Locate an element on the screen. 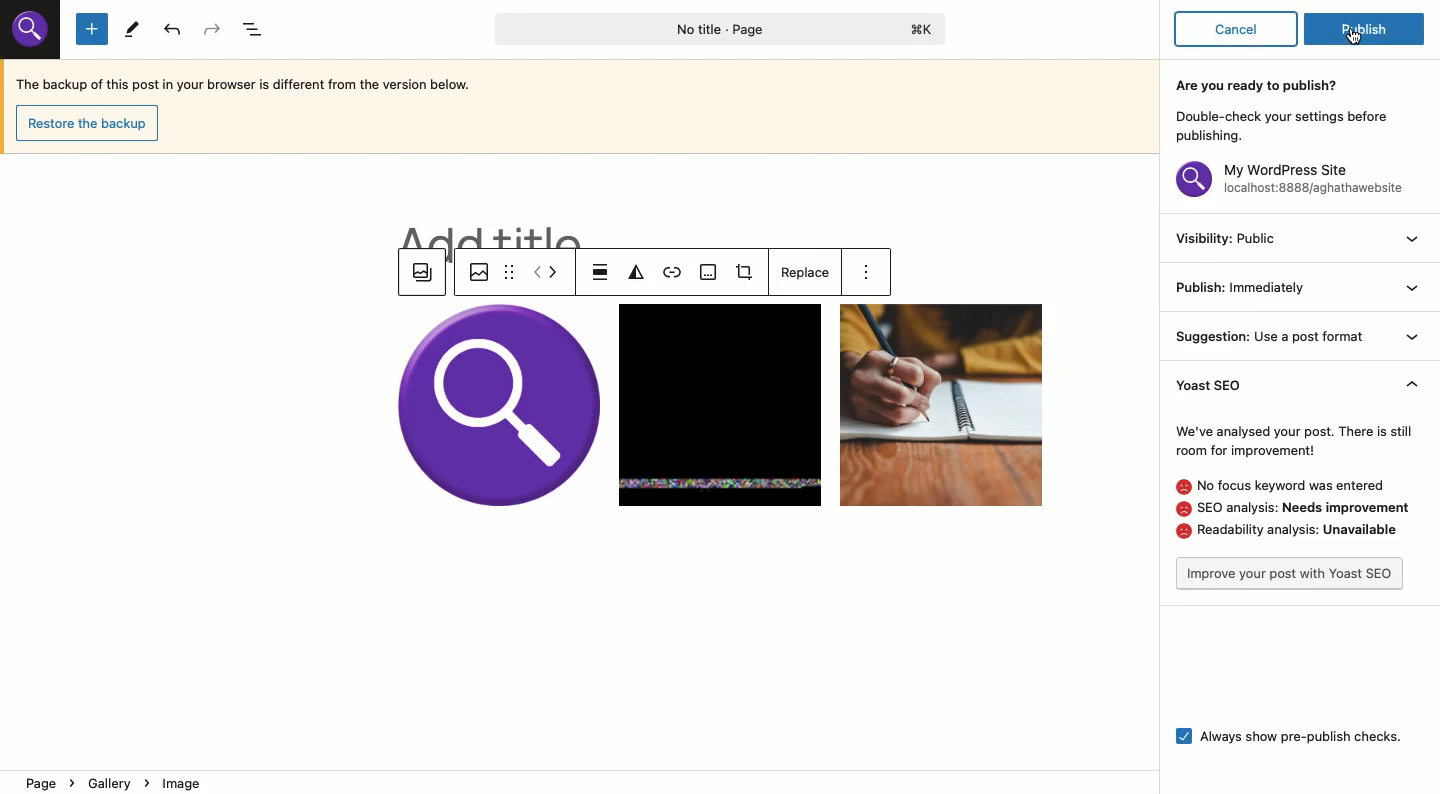 This screenshot has height=794, width=1440. Add new block is located at coordinates (92, 30).